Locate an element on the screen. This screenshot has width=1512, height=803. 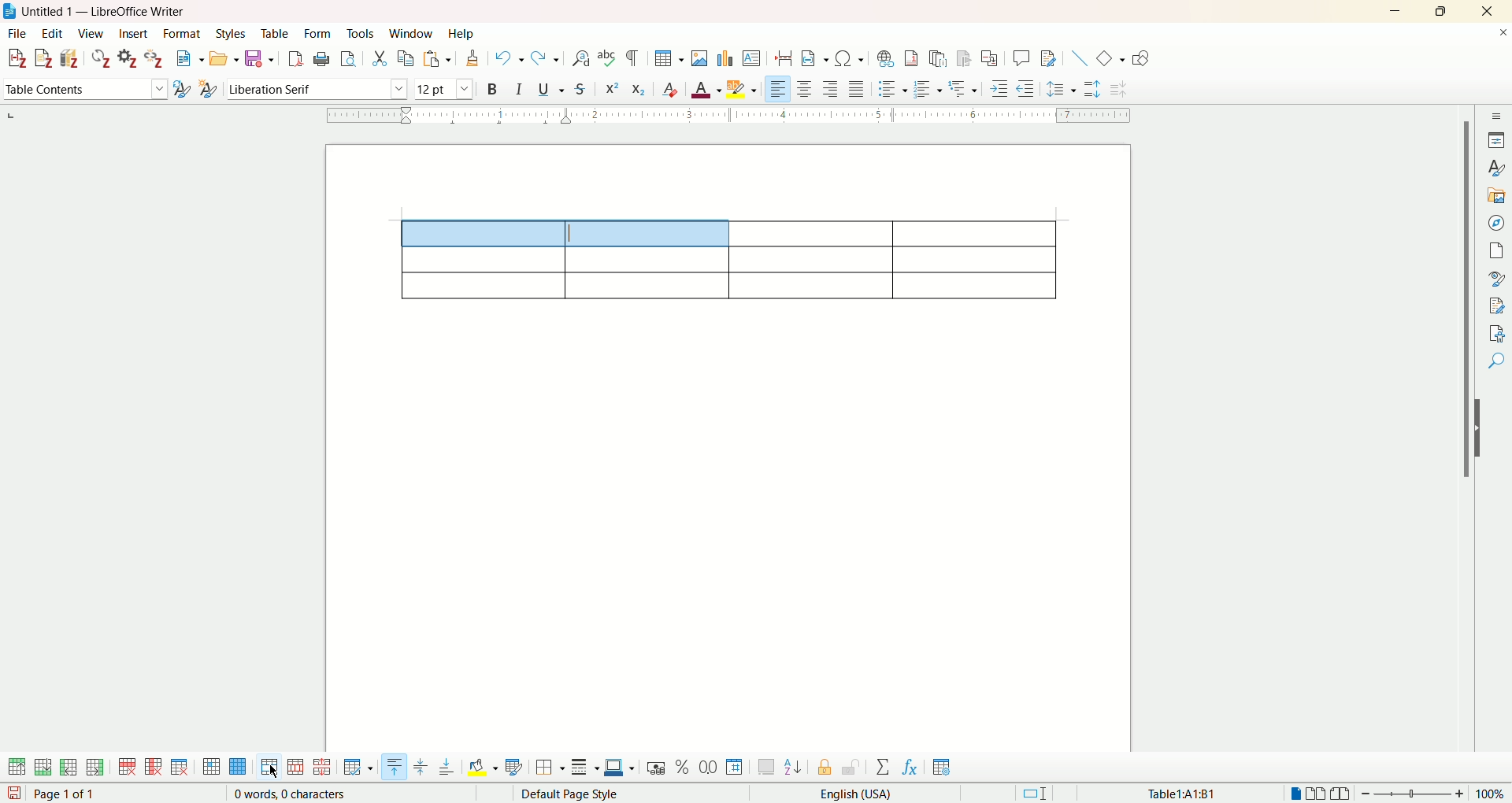
border is located at coordinates (552, 768).